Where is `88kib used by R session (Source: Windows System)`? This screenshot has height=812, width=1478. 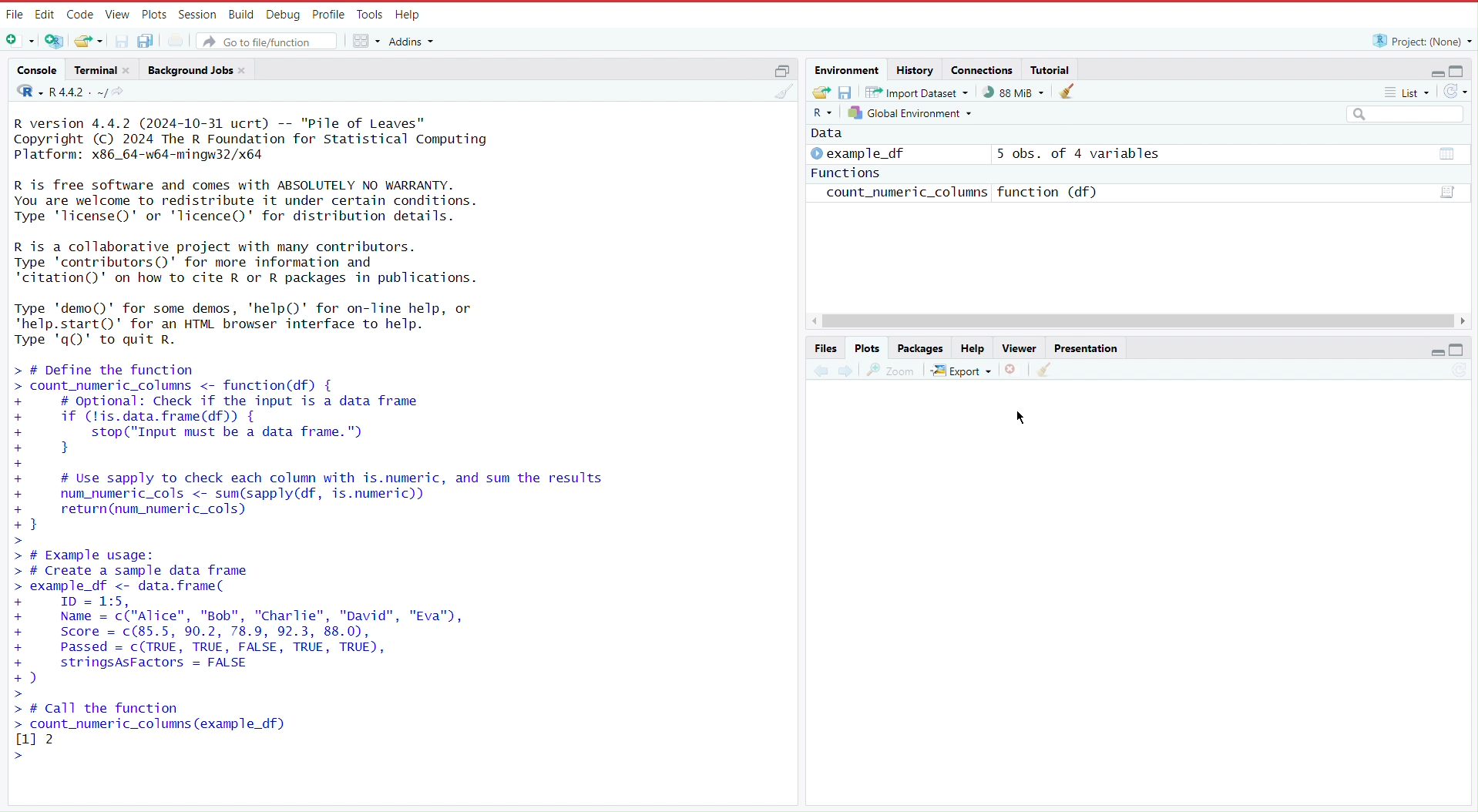
88kib used by R session (Source: Windows System) is located at coordinates (1018, 92).